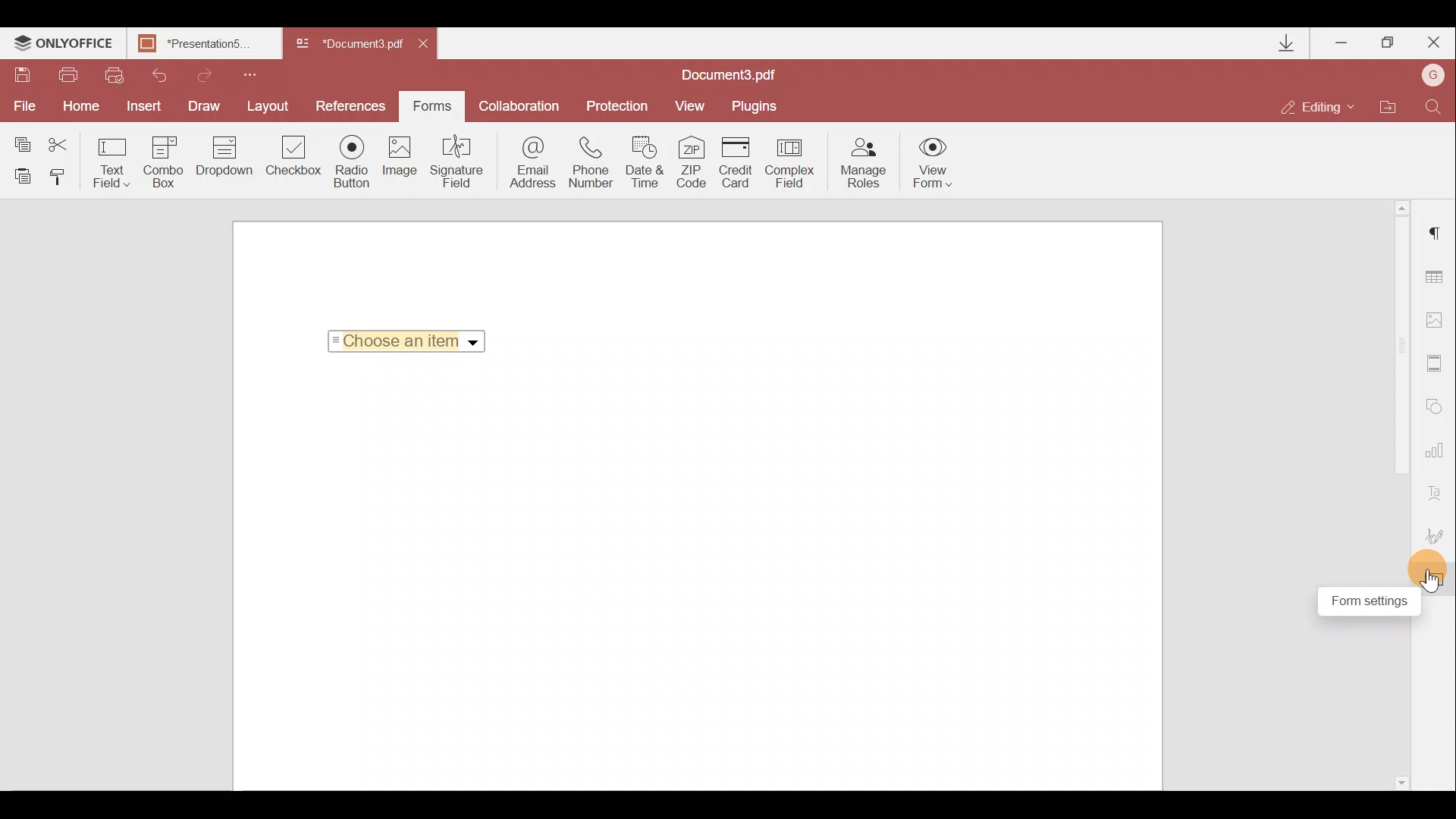  I want to click on Close, so click(1432, 39).